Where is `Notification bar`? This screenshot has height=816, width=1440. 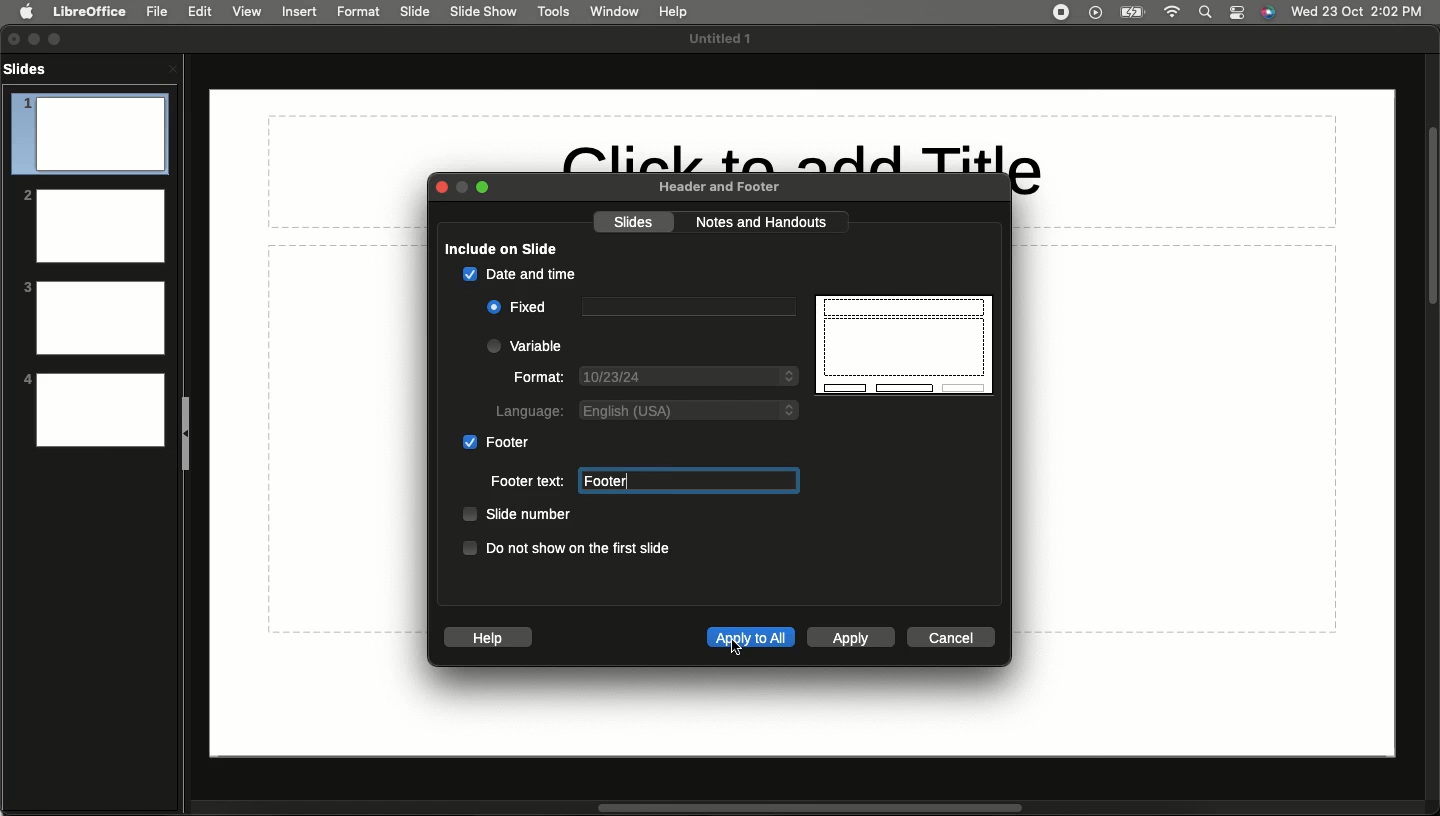 Notification bar is located at coordinates (1238, 13).